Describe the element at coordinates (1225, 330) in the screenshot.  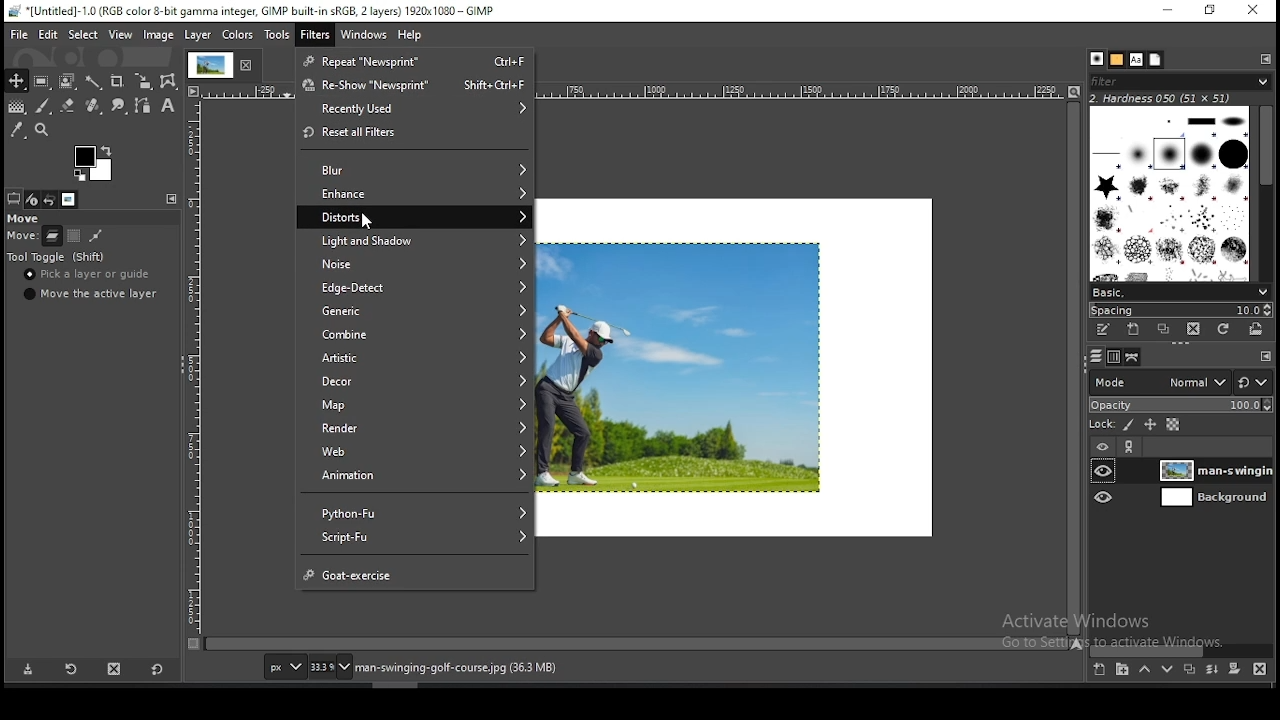
I see `refresh brushes` at that location.